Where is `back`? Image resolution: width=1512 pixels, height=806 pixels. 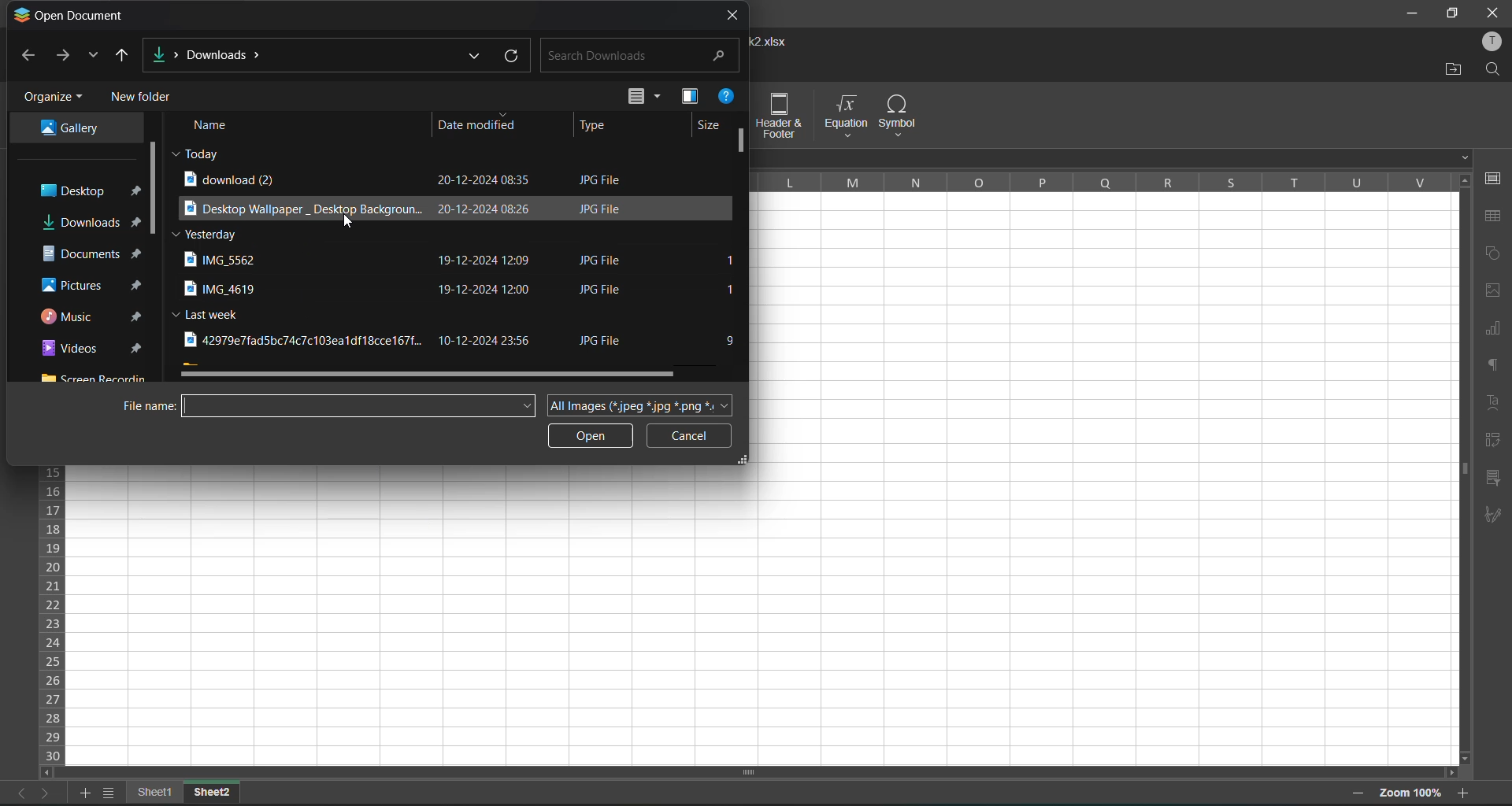
back is located at coordinates (28, 59).